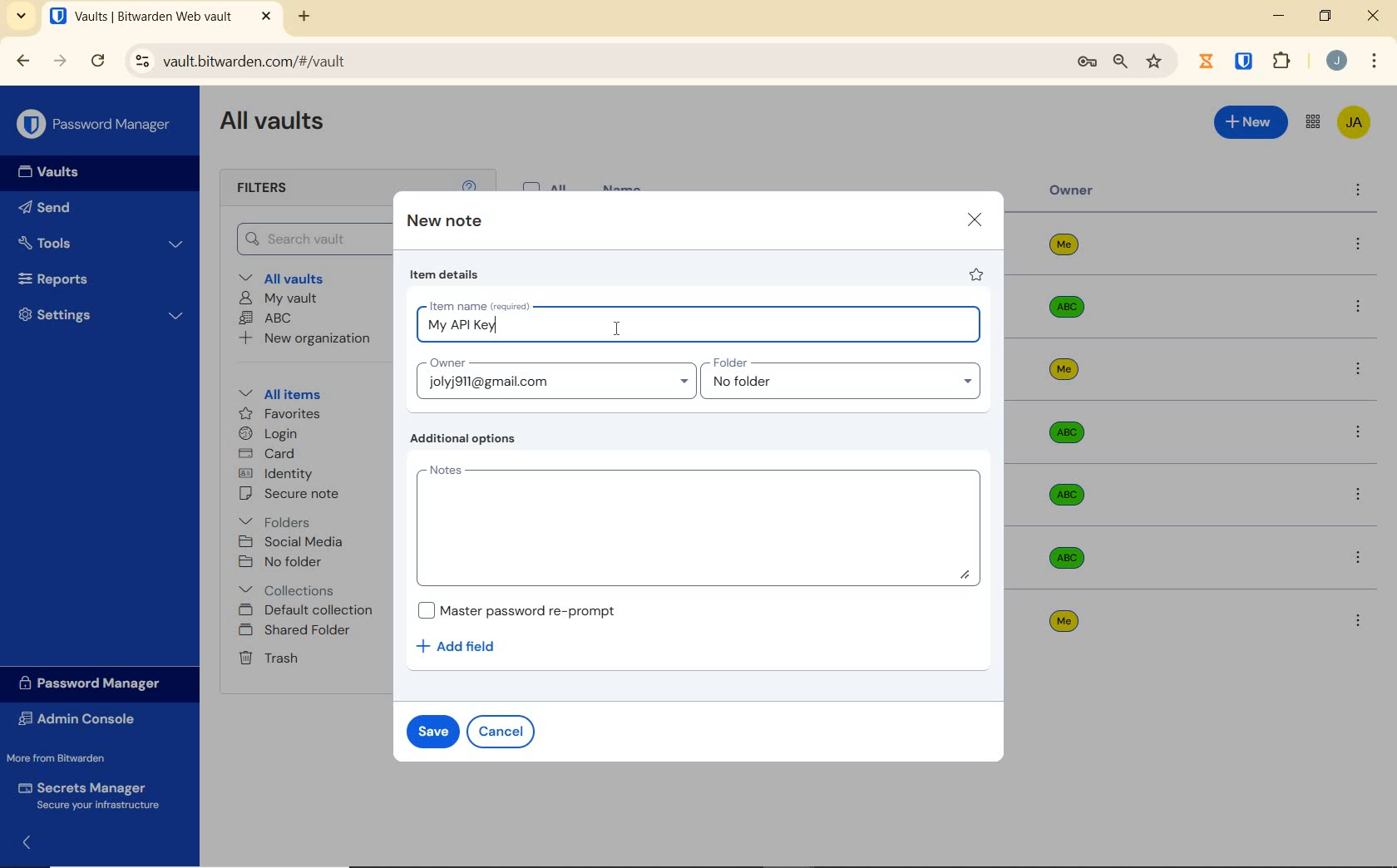  Describe the element at coordinates (266, 17) in the screenshot. I see `CLOSE` at that location.